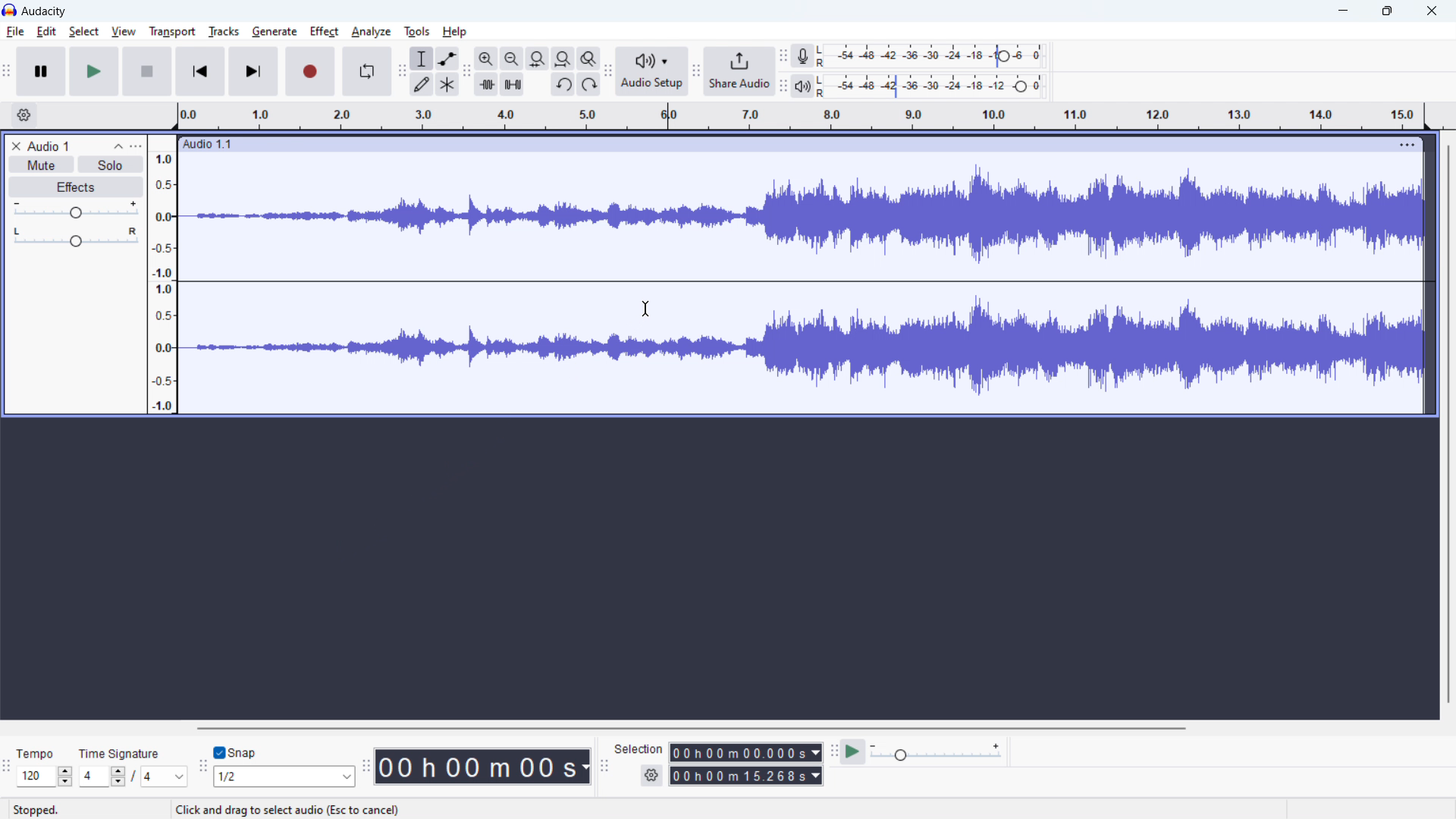 The image size is (1456, 819). What do you see at coordinates (46, 808) in the screenshot?
I see `Stopped` at bounding box center [46, 808].